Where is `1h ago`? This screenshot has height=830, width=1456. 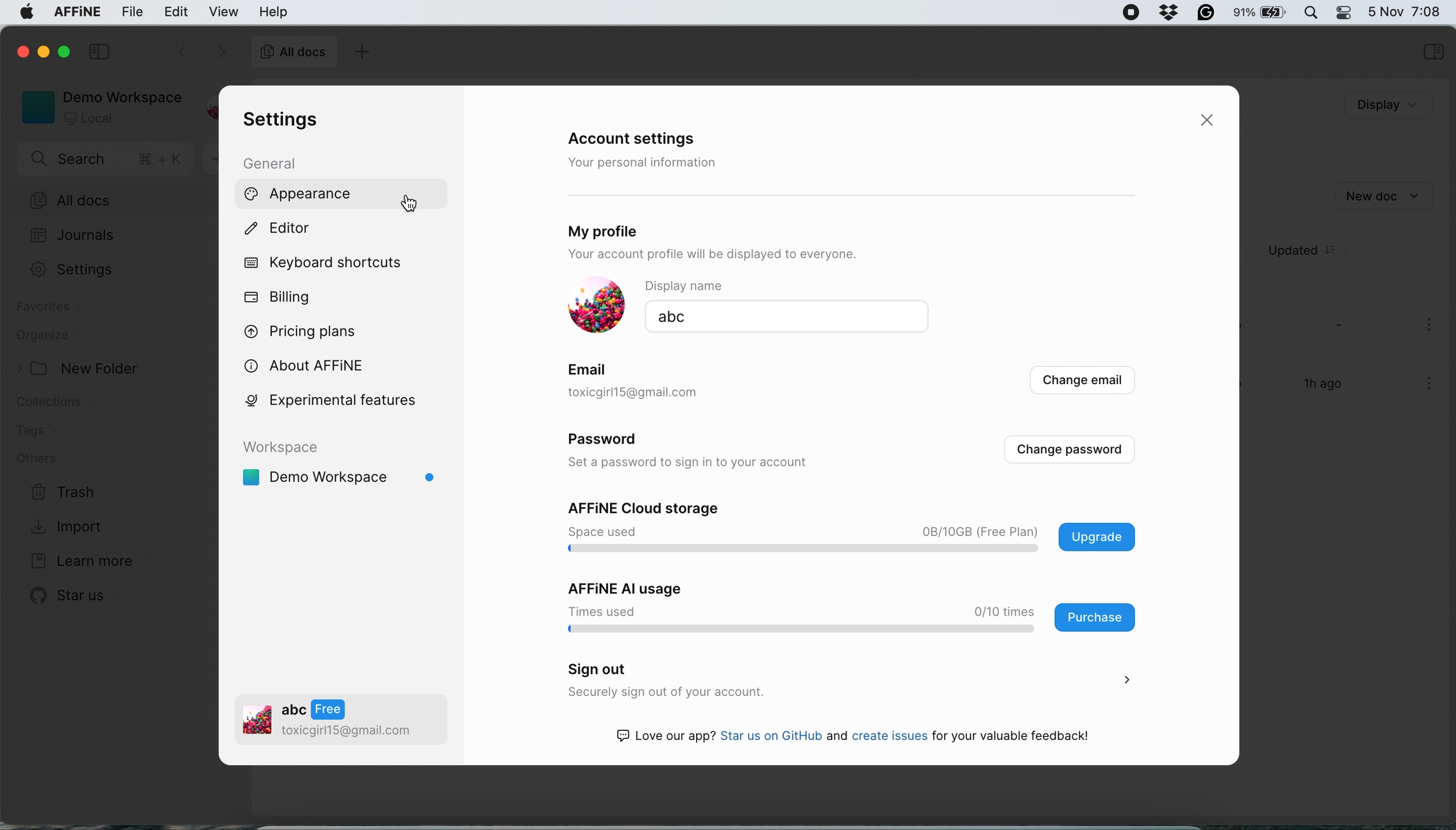 1h ago is located at coordinates (1324, 383).